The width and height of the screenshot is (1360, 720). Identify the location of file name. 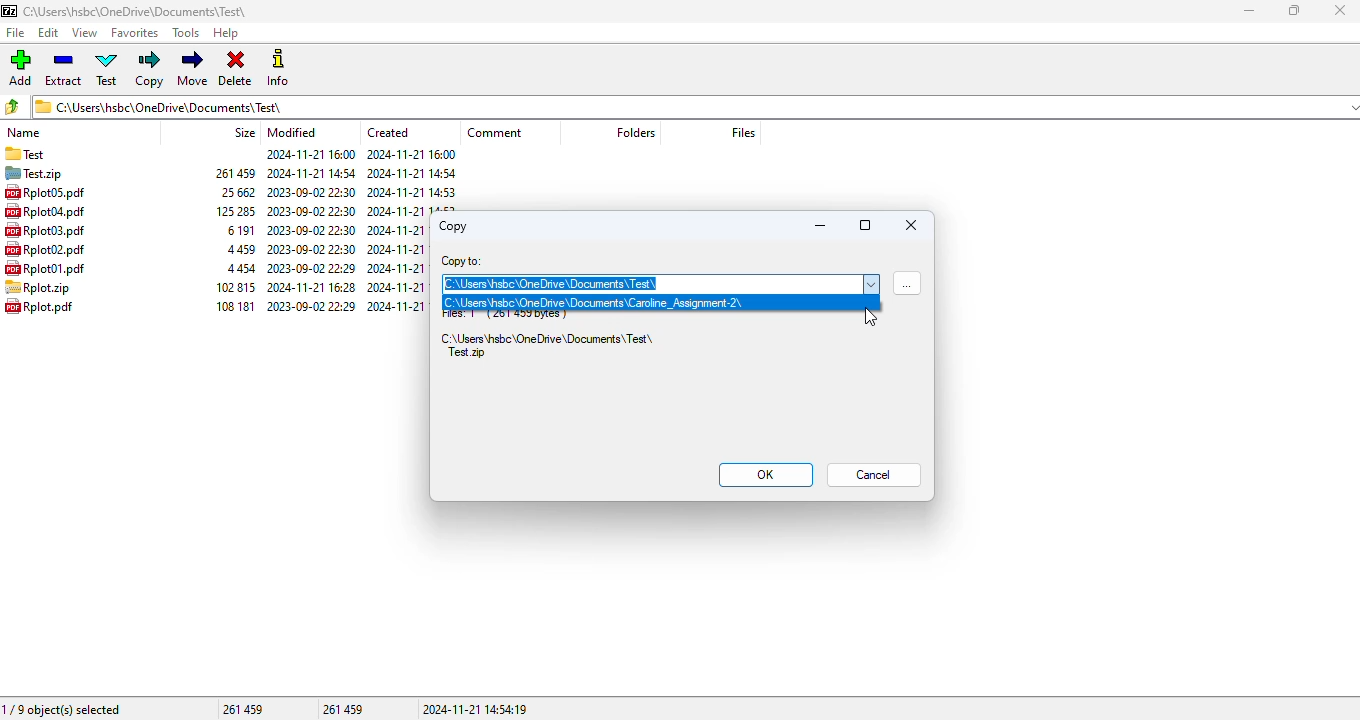
(44, 230).